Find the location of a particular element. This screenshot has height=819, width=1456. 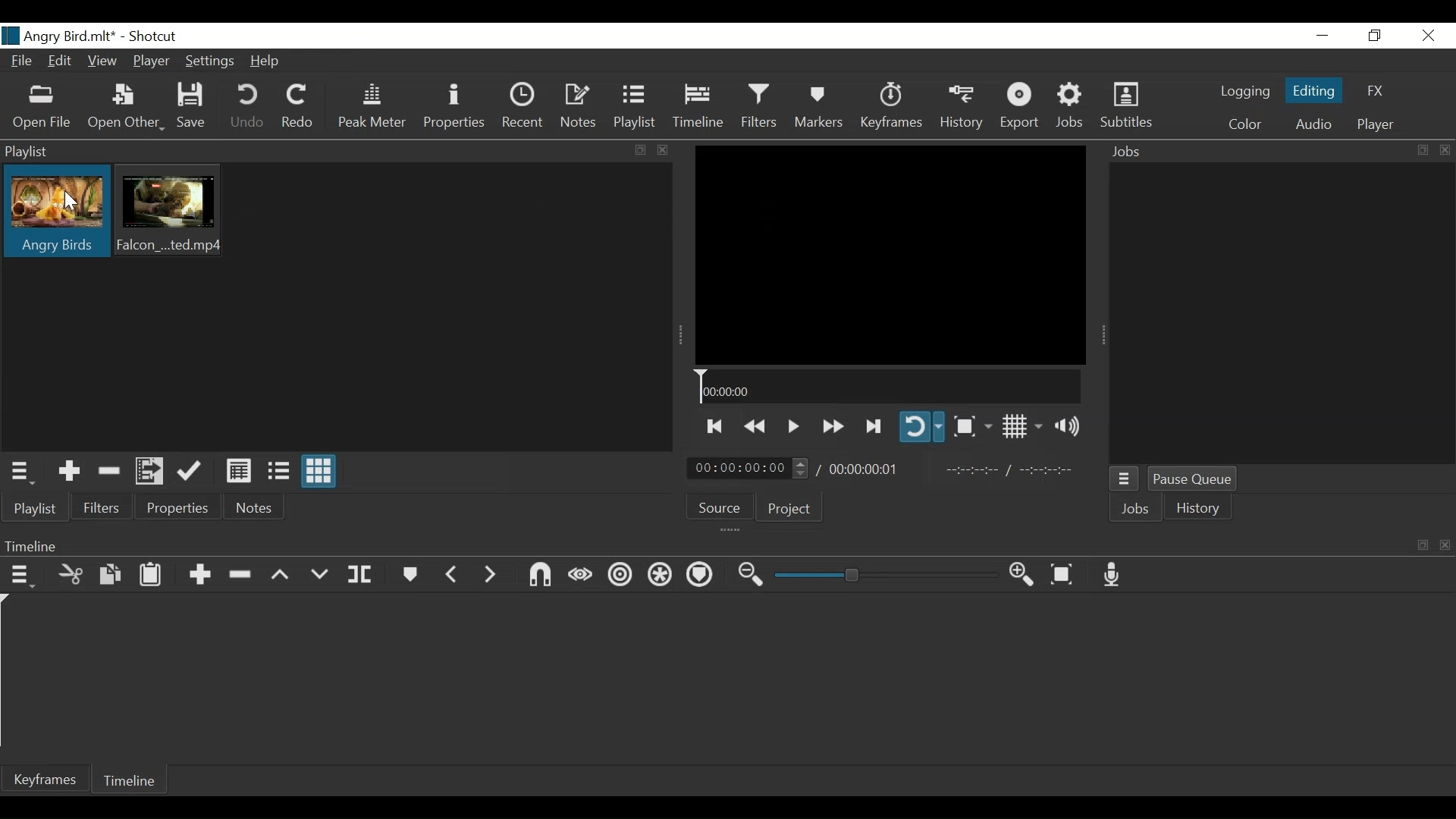

Current position is located at coordinates (750, 469).